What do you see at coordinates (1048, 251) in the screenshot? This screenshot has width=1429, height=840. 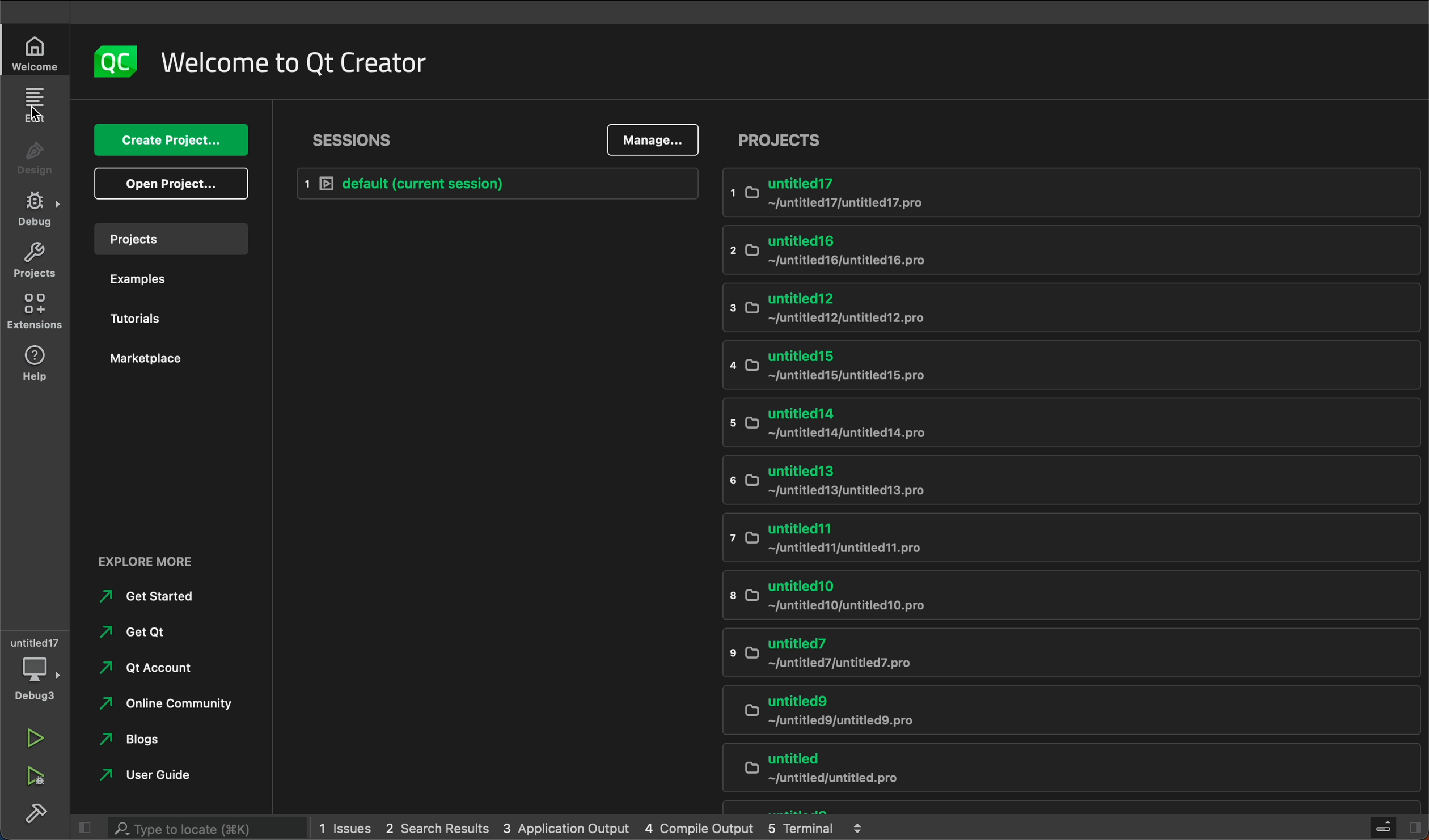 I see `untitled16` at bounding box center [1048, 251].